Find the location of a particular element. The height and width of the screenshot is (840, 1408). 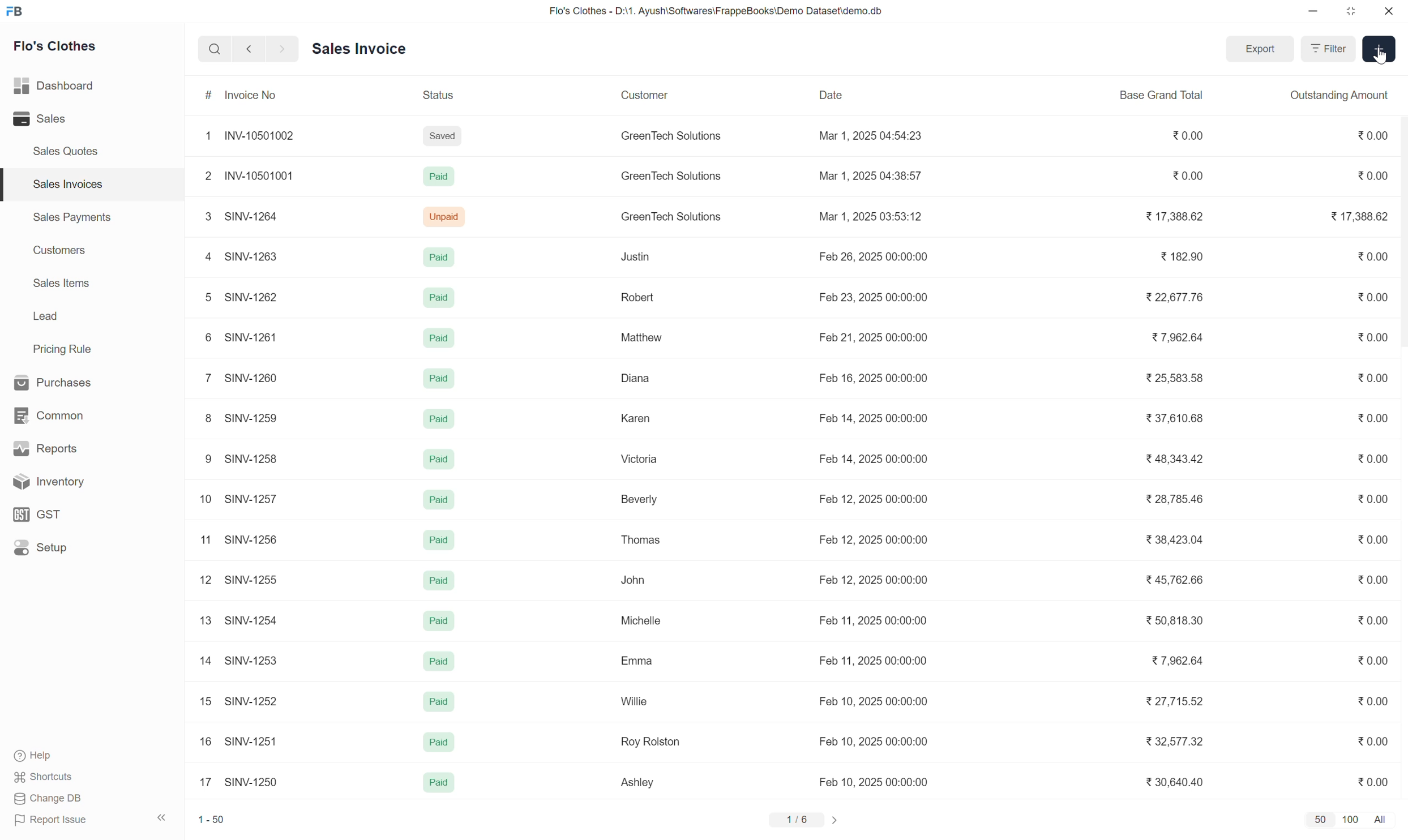

Status is located at coordinates (441, 96).